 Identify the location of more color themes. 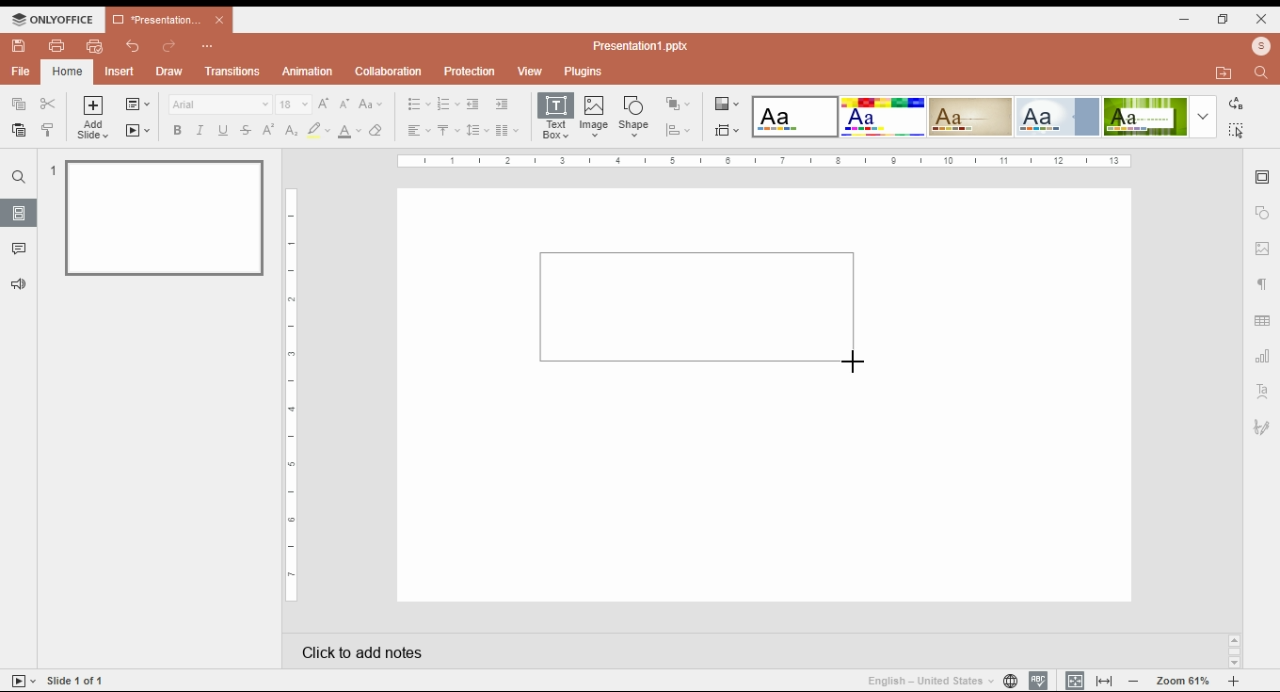
(1203, 116).